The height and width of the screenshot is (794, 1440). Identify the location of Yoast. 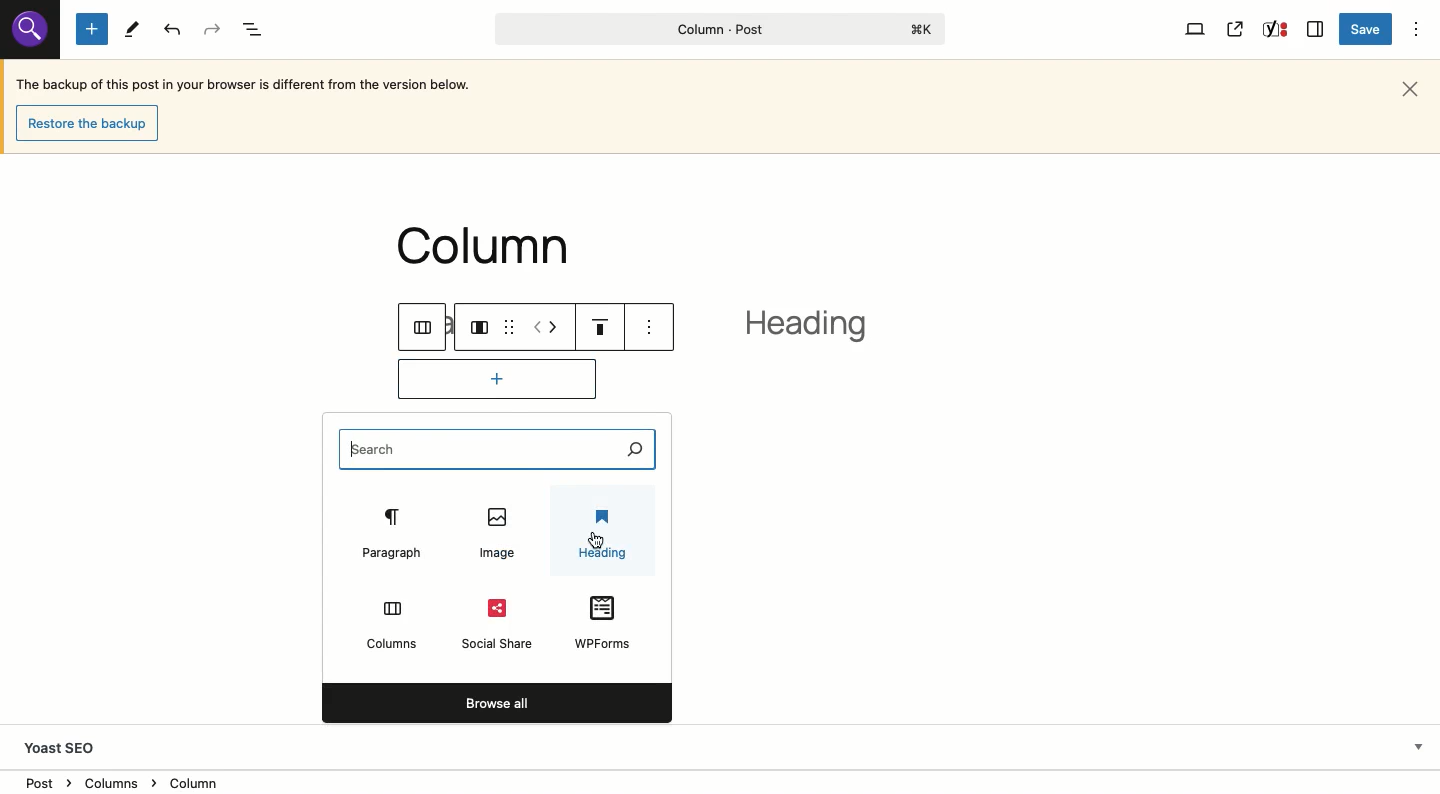
(1273, 31).